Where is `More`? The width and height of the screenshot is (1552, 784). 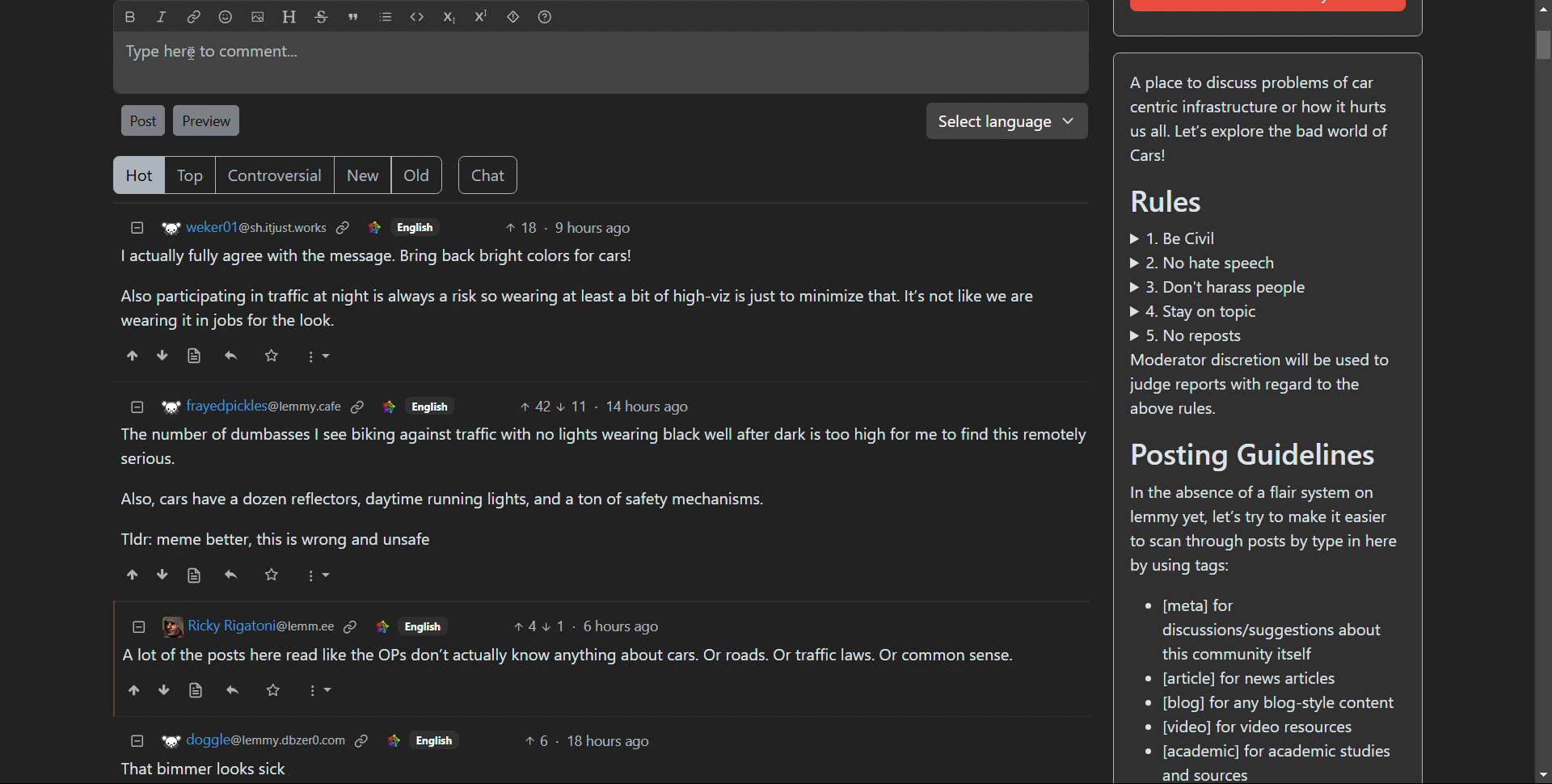
More is located at coordinates (321, 356).